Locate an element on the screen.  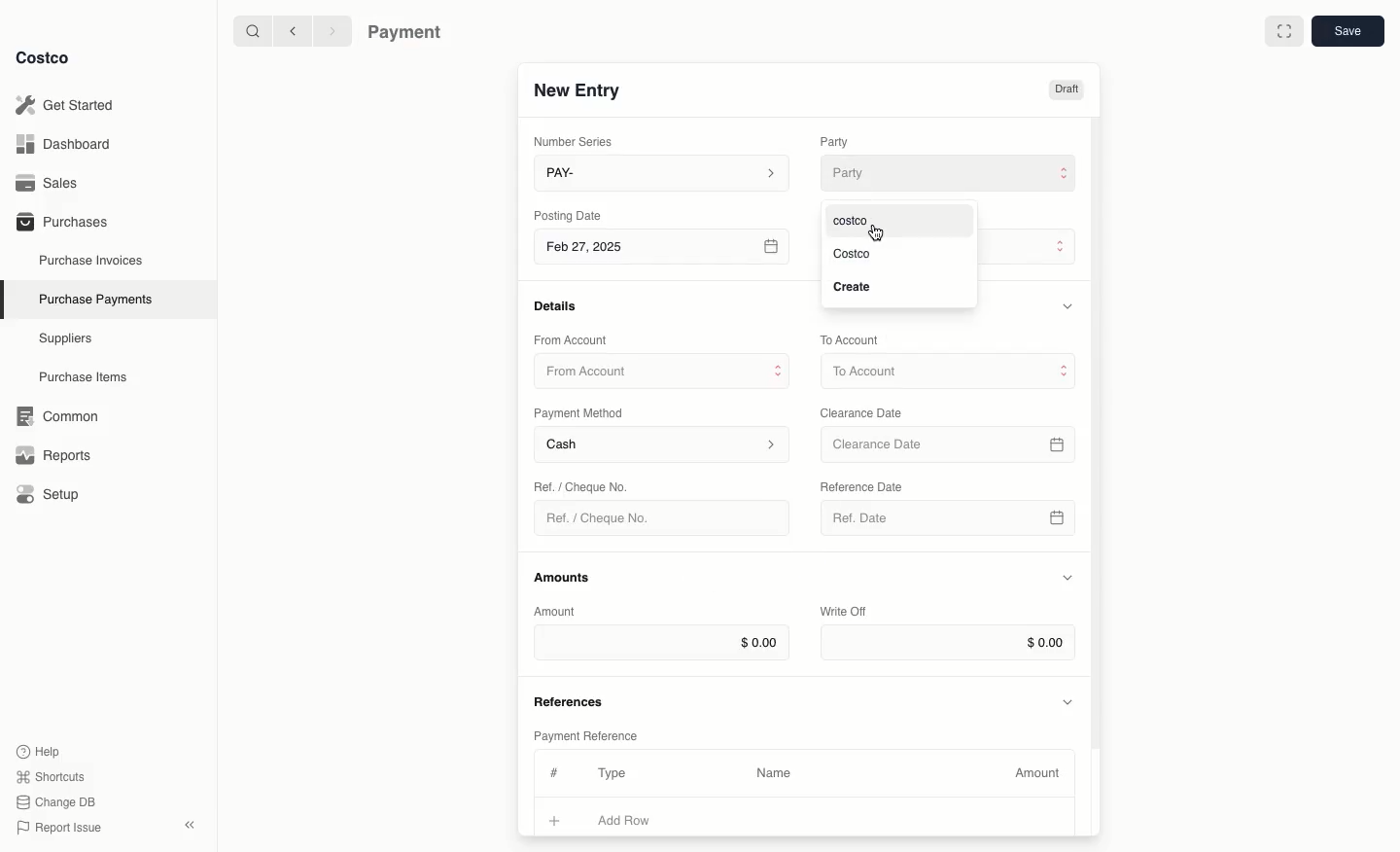
Back is located at coordinates (293, 30).